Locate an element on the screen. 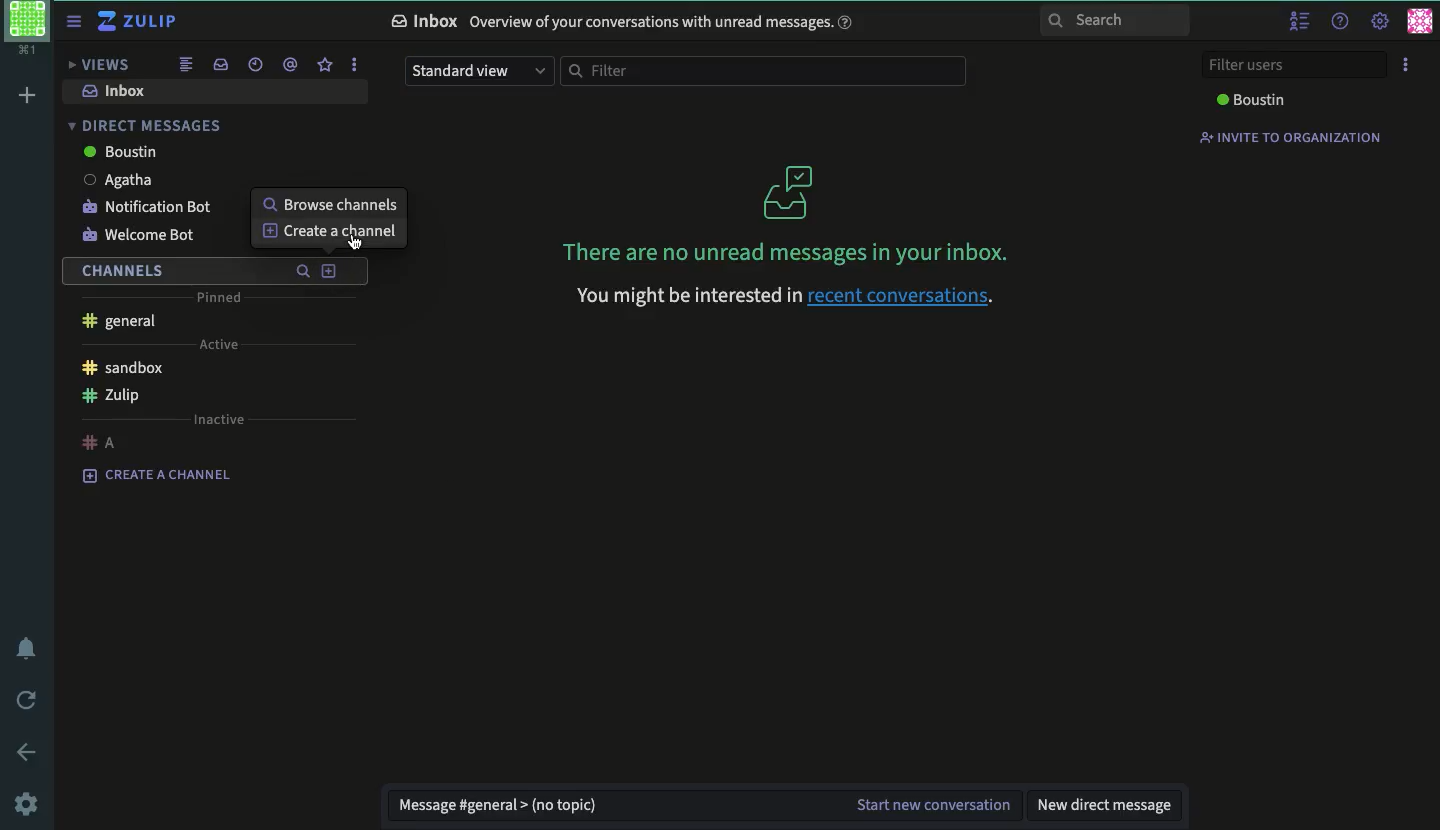  Agatha is located at coordinates (112, 180).